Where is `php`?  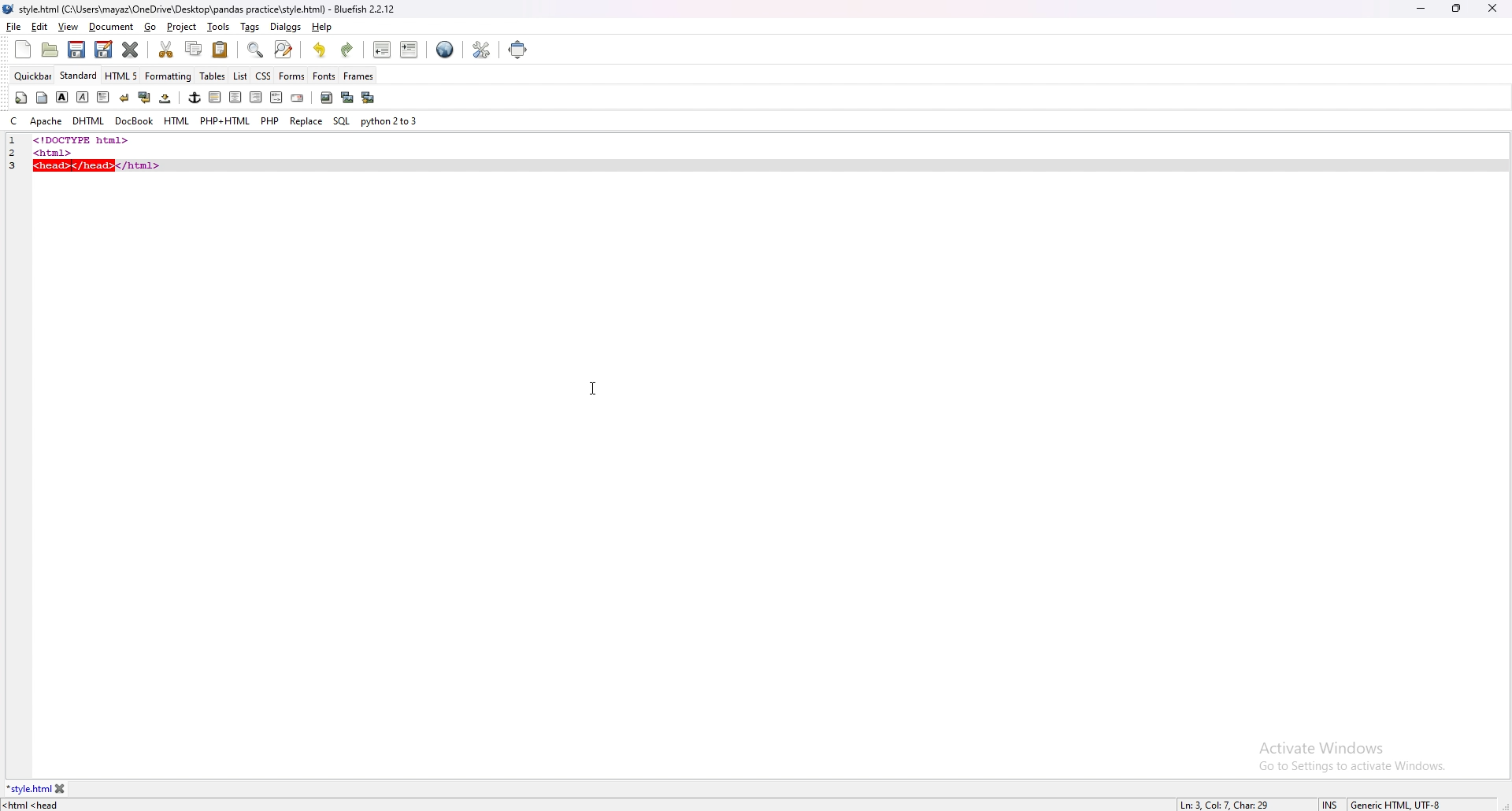
php is located at coordinates (270, 120).